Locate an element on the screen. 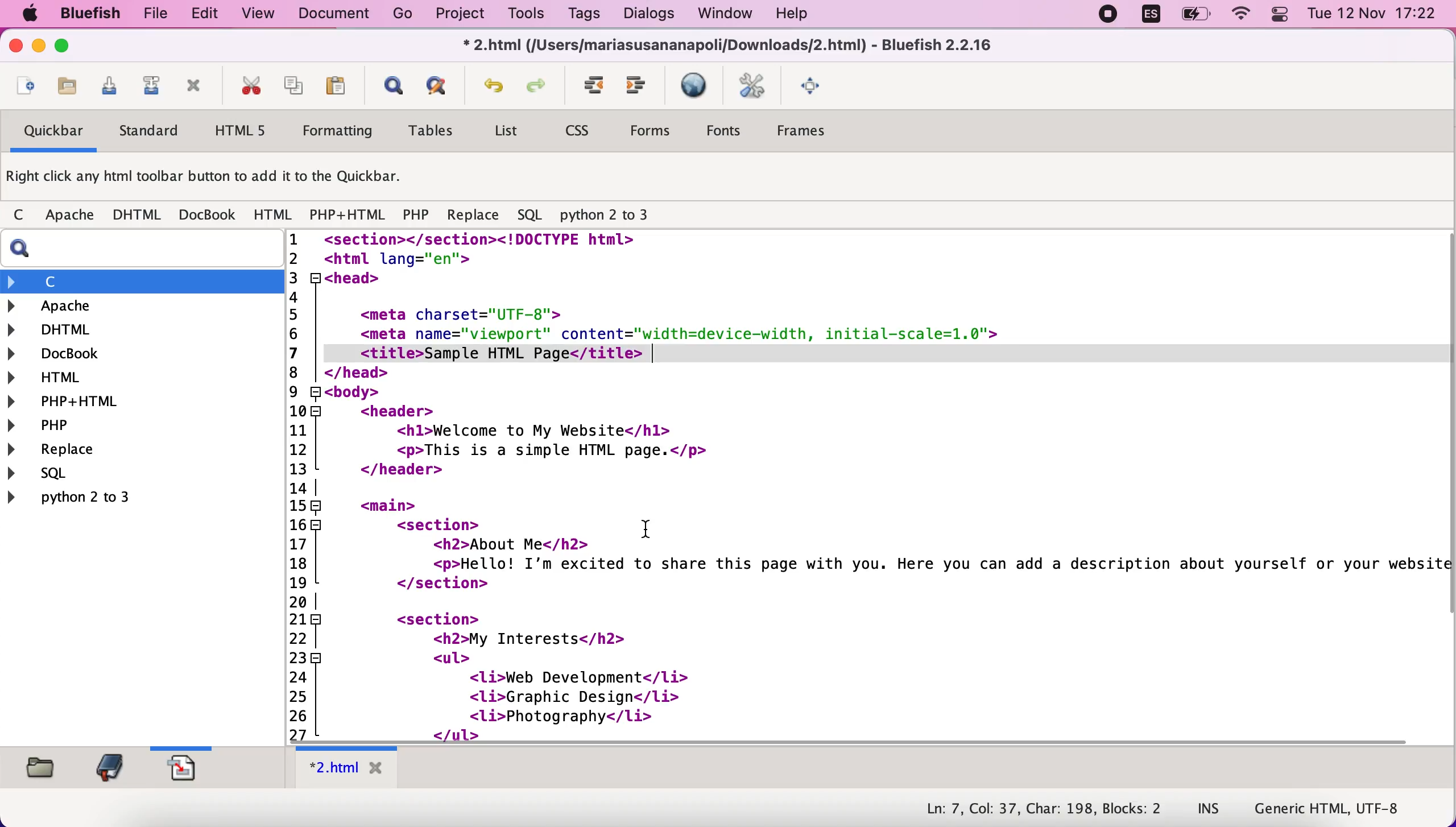 The width and height of the screenshot is (1456, 827). generic html, UTF-8 is located at coordinates (1333, 809).